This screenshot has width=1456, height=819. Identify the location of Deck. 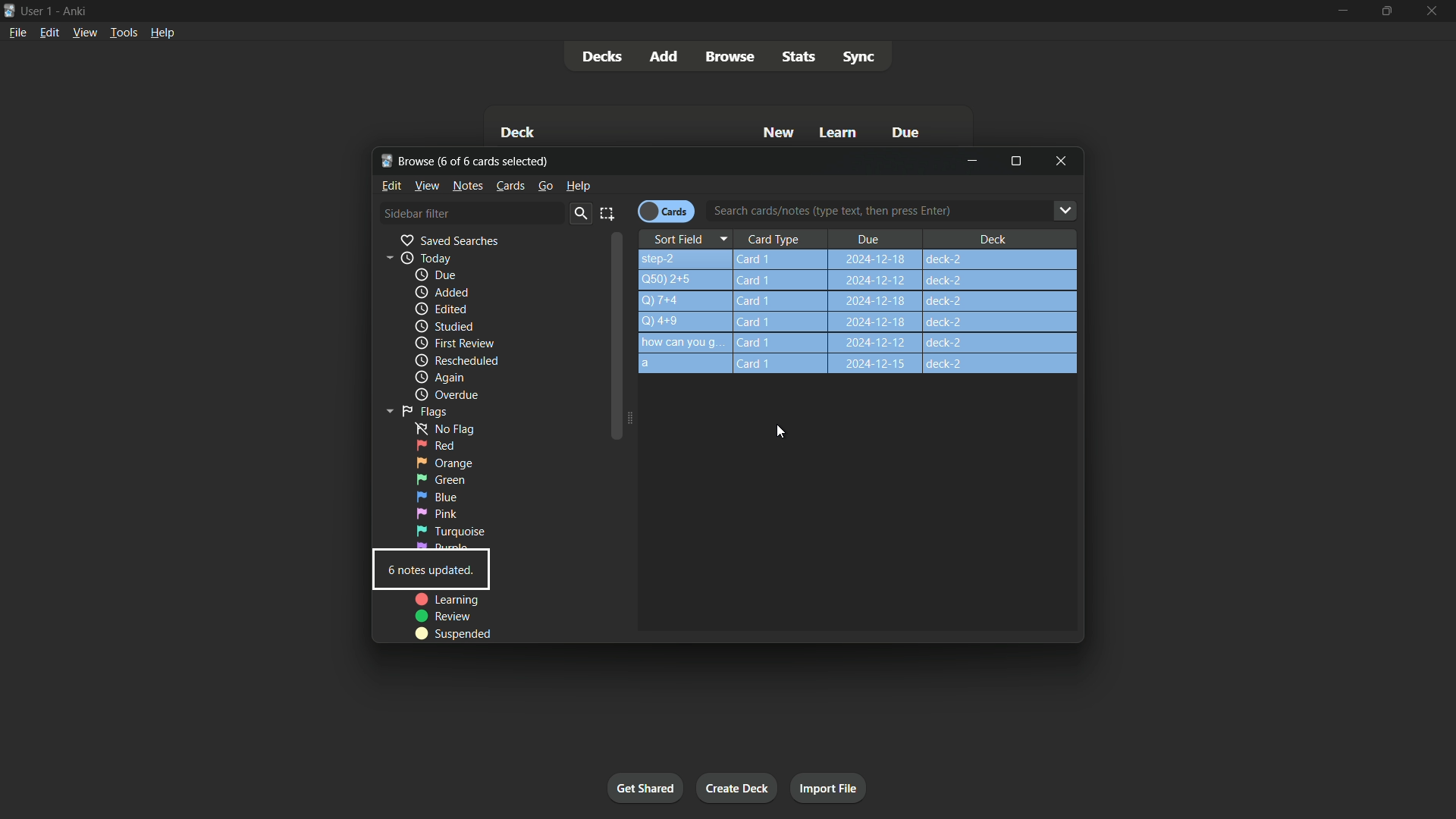
(992, 238).